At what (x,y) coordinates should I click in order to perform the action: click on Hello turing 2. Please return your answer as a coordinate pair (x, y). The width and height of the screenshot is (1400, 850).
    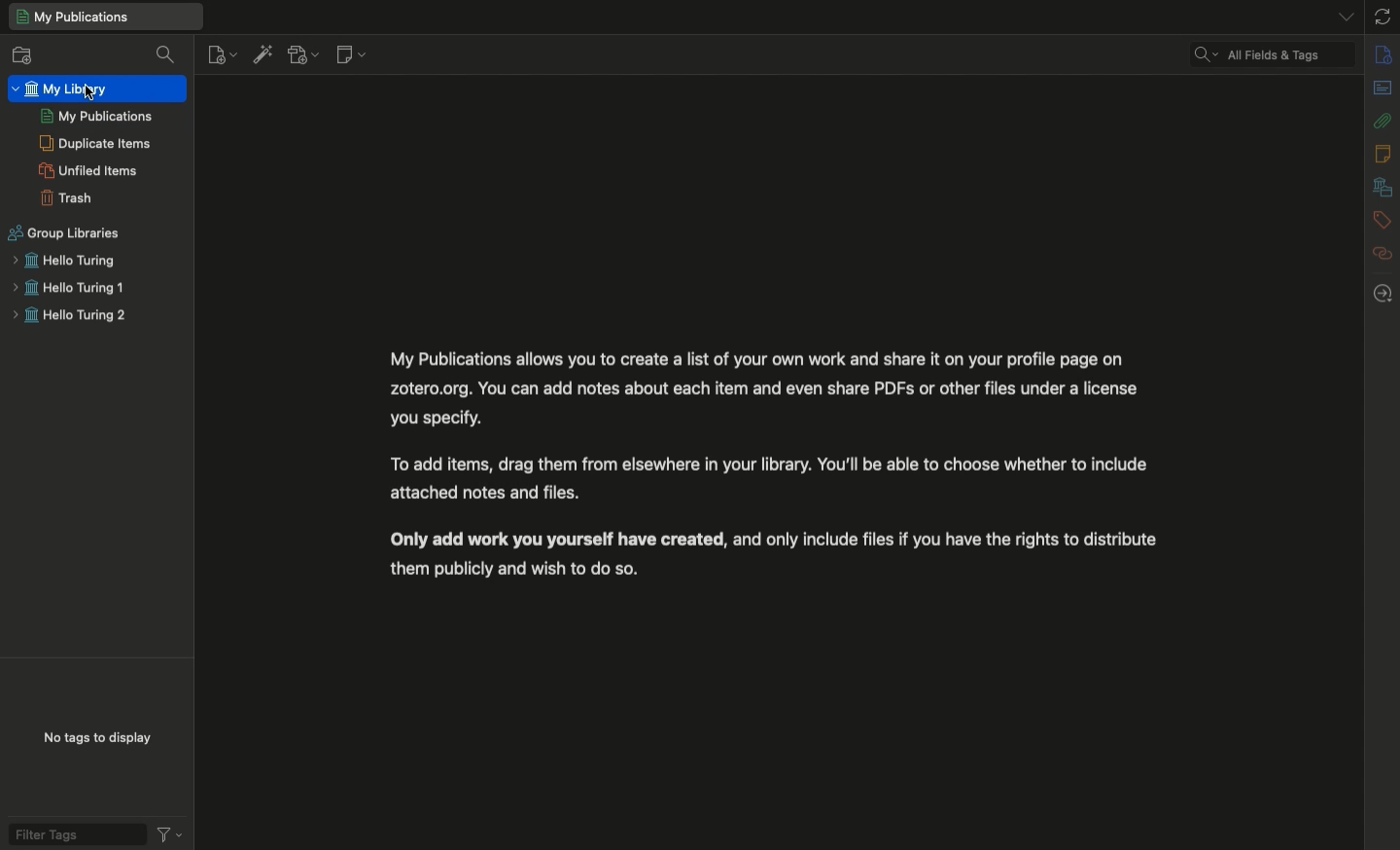
    Looking at the image, I should click on (71, 320).